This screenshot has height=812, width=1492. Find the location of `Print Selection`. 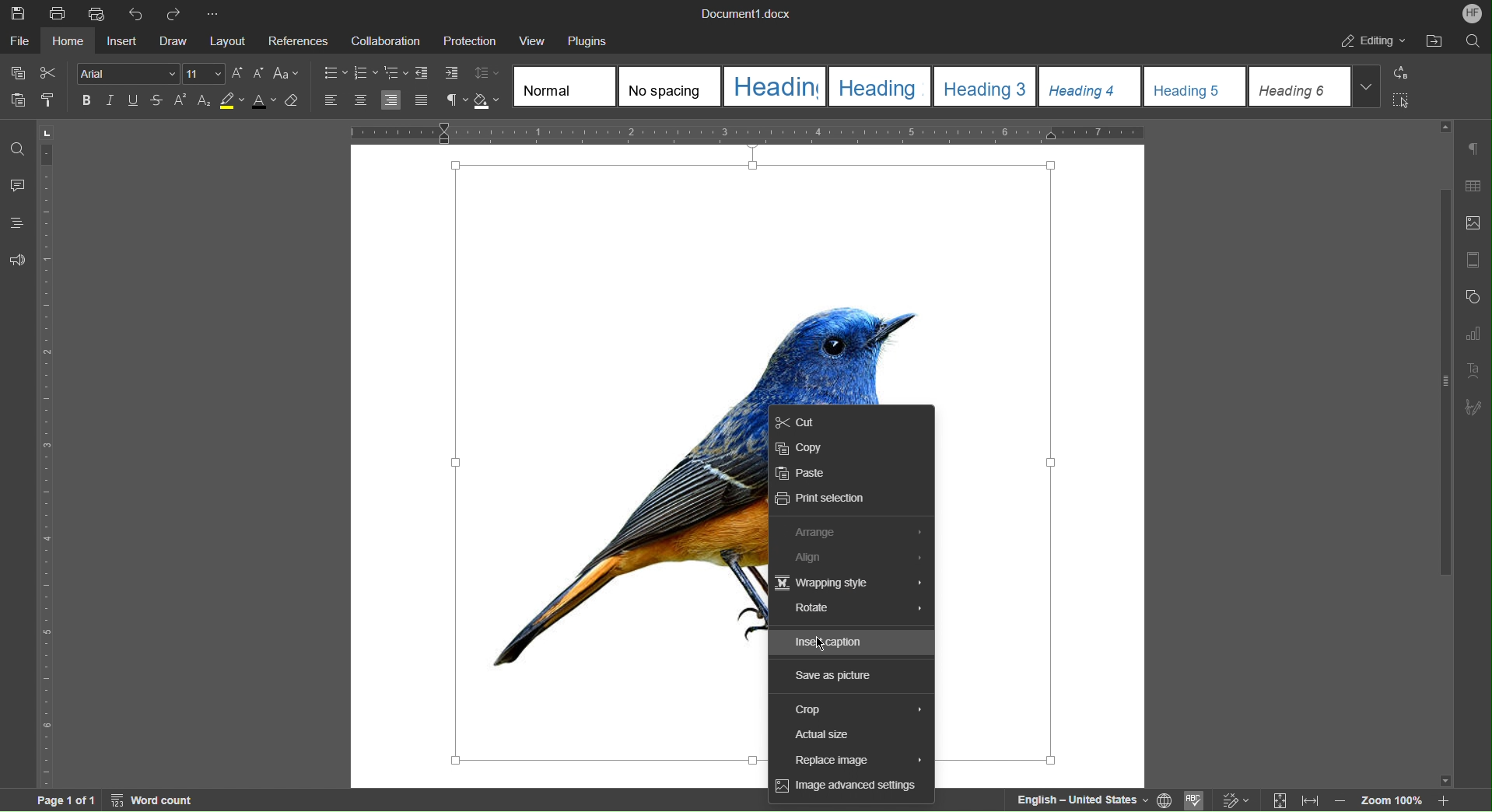

Print Selection is located at coordinates (820, 501).